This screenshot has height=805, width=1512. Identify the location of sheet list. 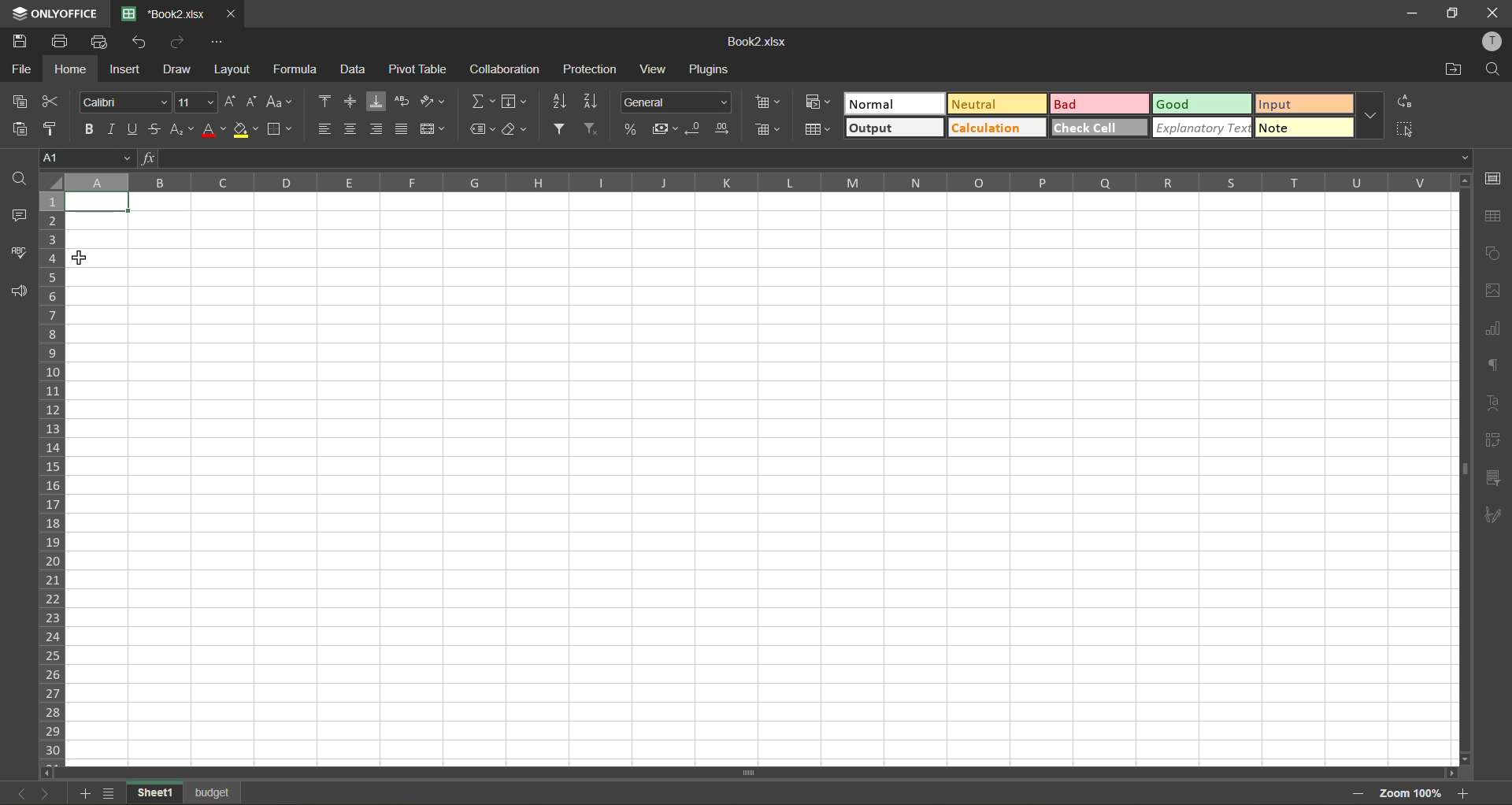
(109, 794).